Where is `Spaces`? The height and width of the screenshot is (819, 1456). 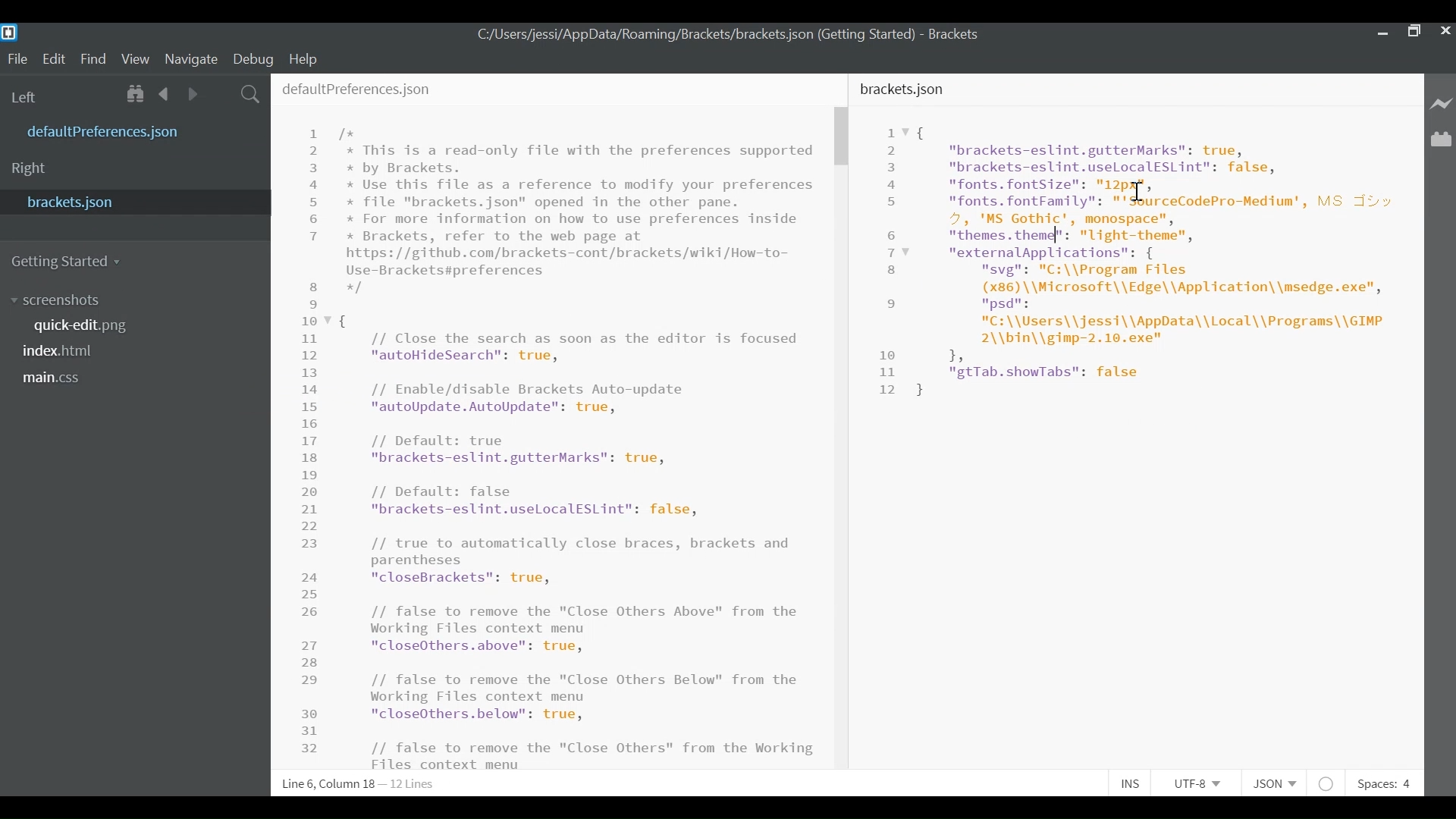 Spaces is located at coordinates (1382, 784).